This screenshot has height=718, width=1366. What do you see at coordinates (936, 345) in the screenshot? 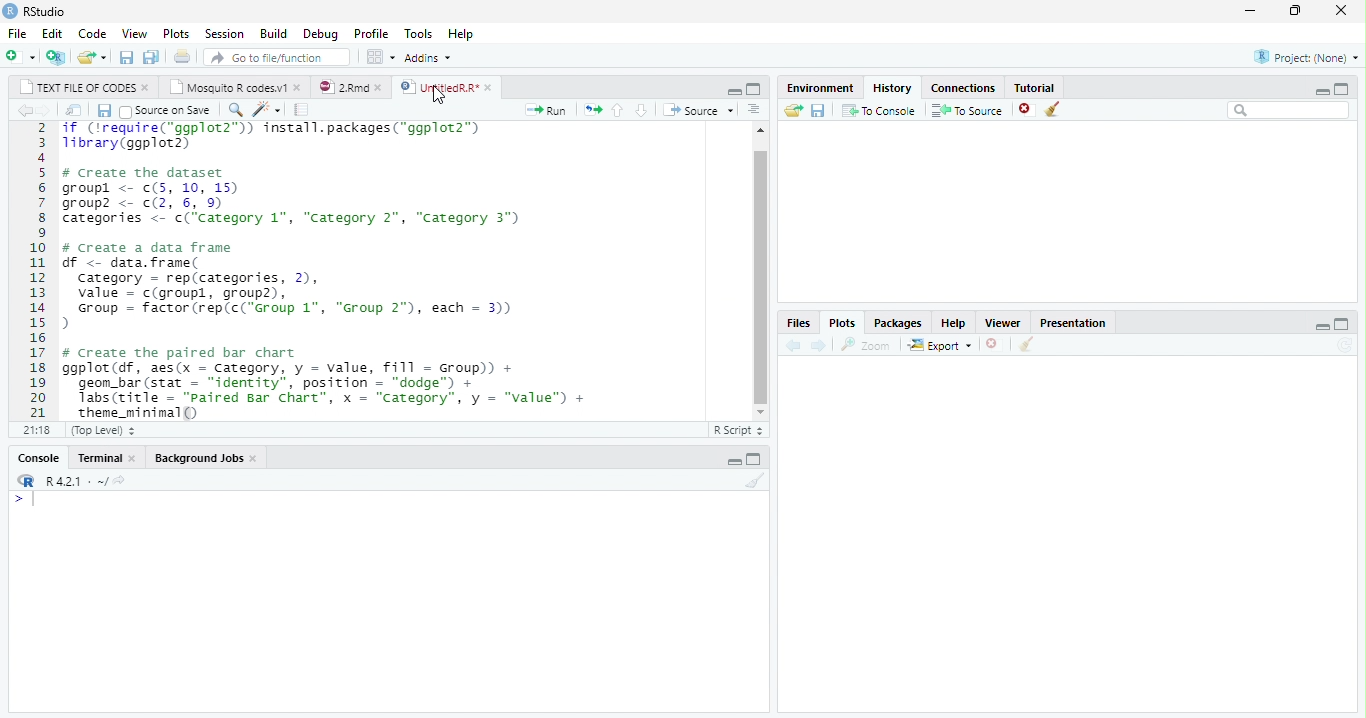
I see `export` at bounding box center [936, 345].